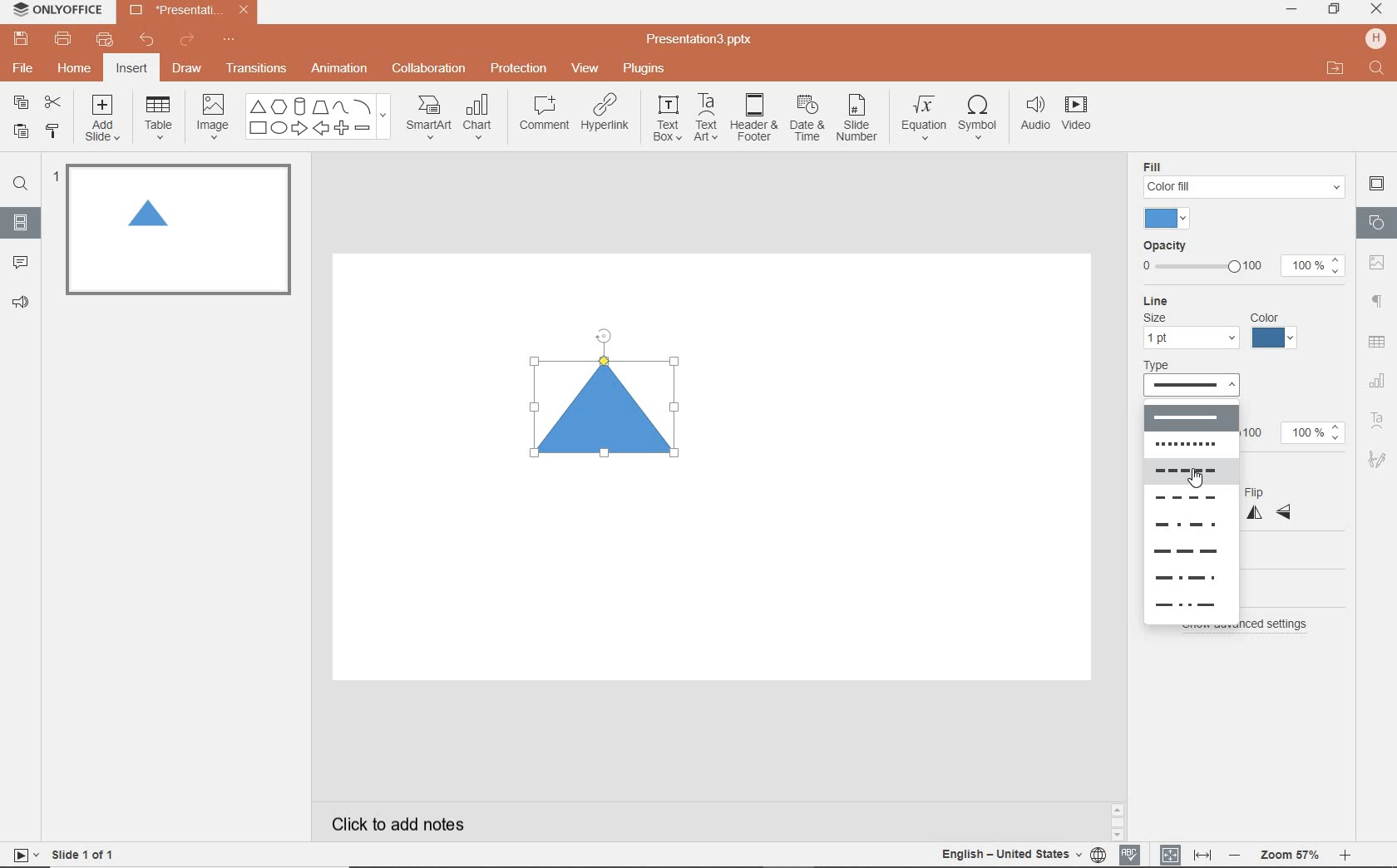 This screenshot has height=868, width=1397. I want to click on CUT, so click(54, 101).